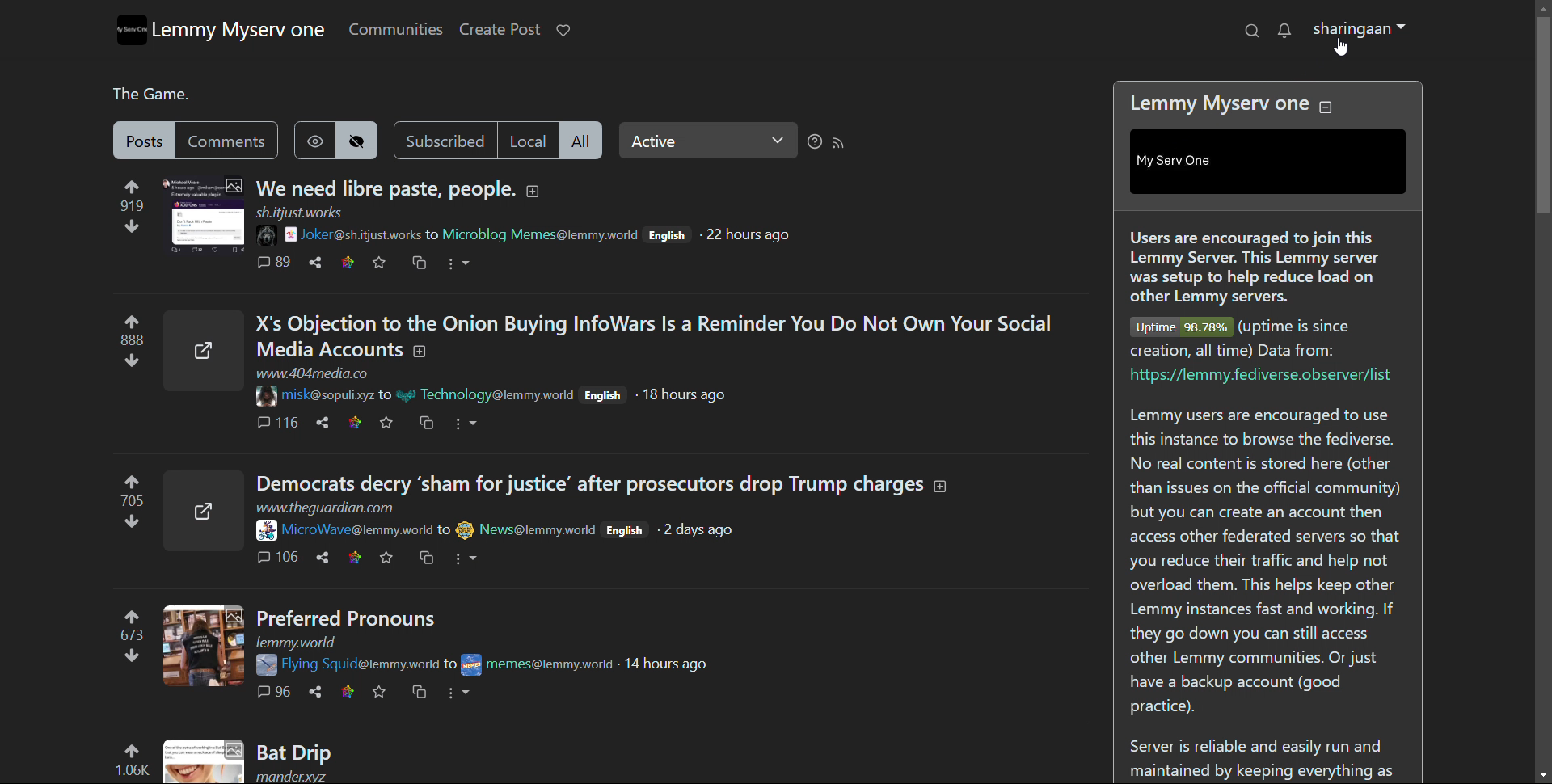  I want to click on posts, so click(144, 141).